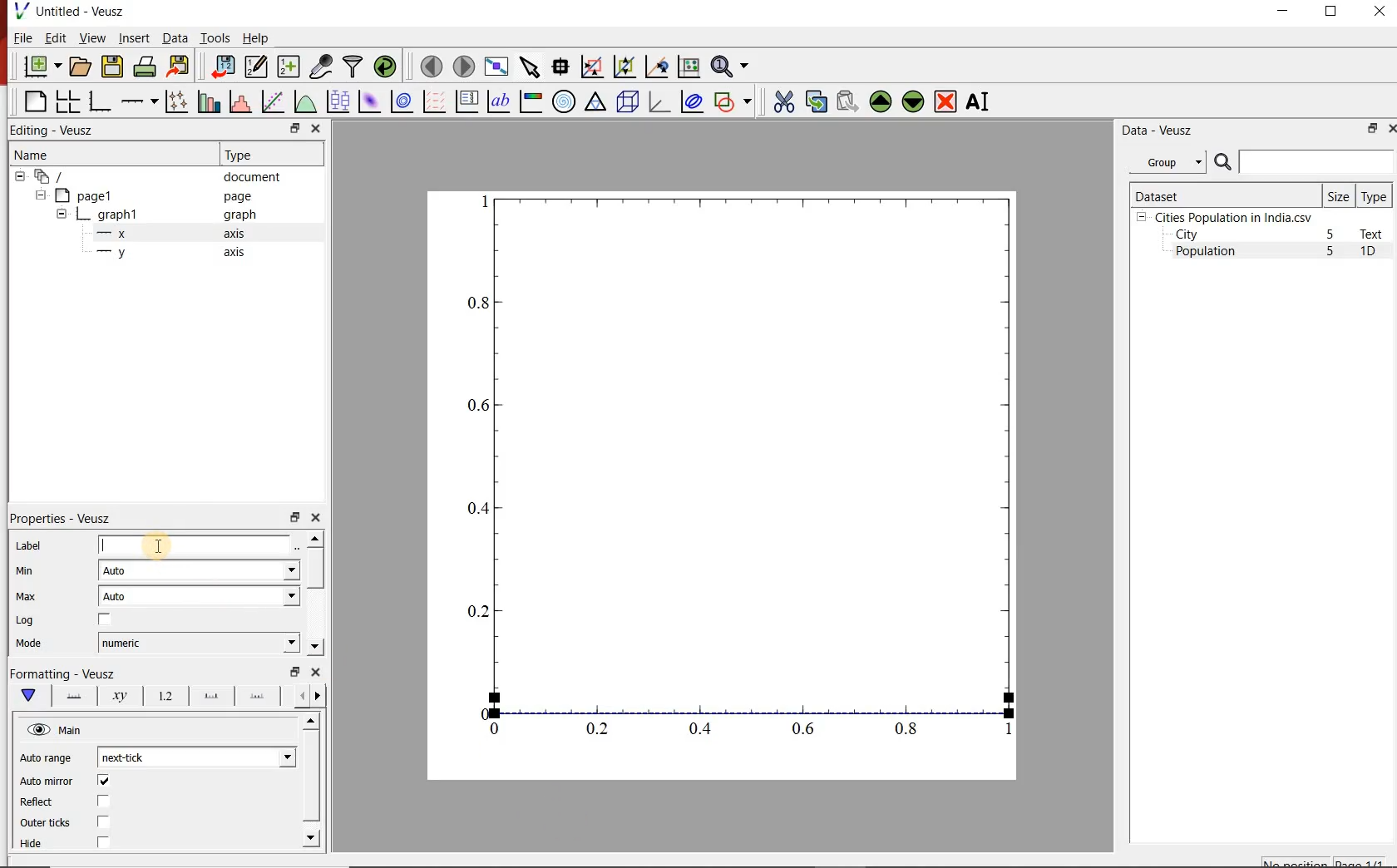 Image resolution: width=1397 pixels, height=868 pixels. Describe the element at coordinates (353, 67) in the screenshot. I see `filter data` at that location.